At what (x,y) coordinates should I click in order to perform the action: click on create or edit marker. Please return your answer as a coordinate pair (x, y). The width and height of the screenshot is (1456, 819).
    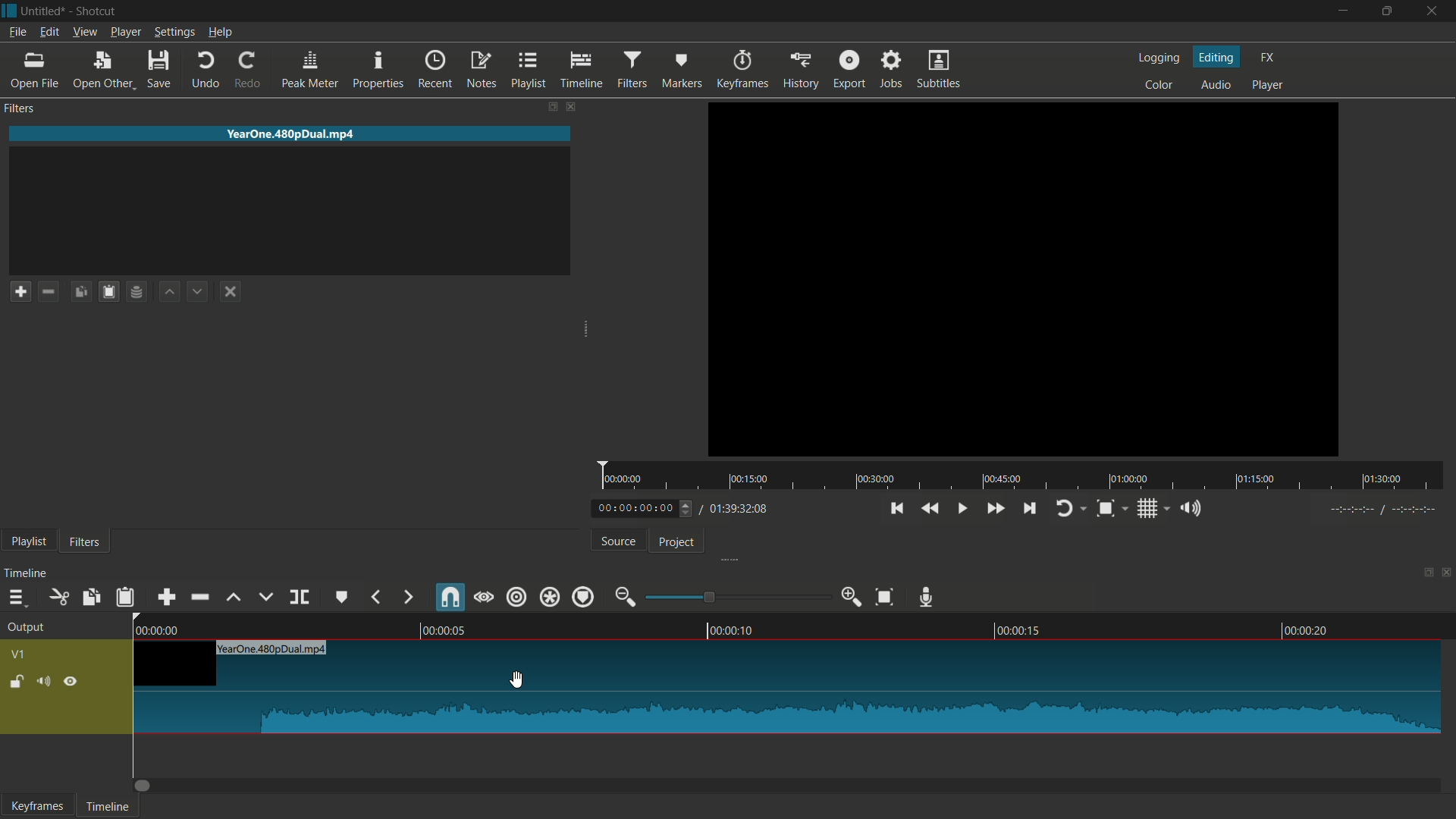
    Looking at the image, I should click on (344, 597).